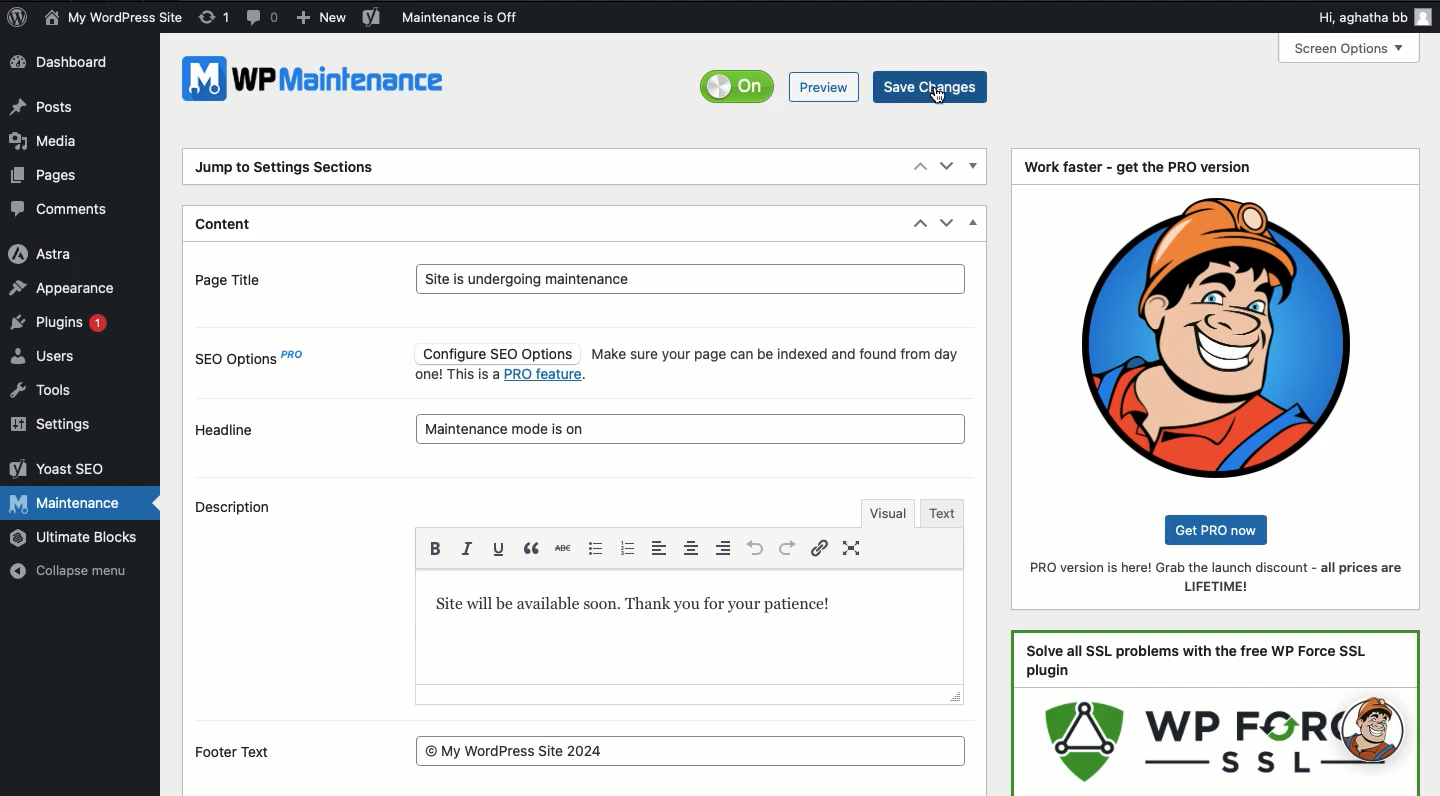 Image resolution: width=1440 pixels, height=796 pixels. What do you see at coordinates (975, 167) in the screenshot?
I see `Show` at bounding box center [975, 167].